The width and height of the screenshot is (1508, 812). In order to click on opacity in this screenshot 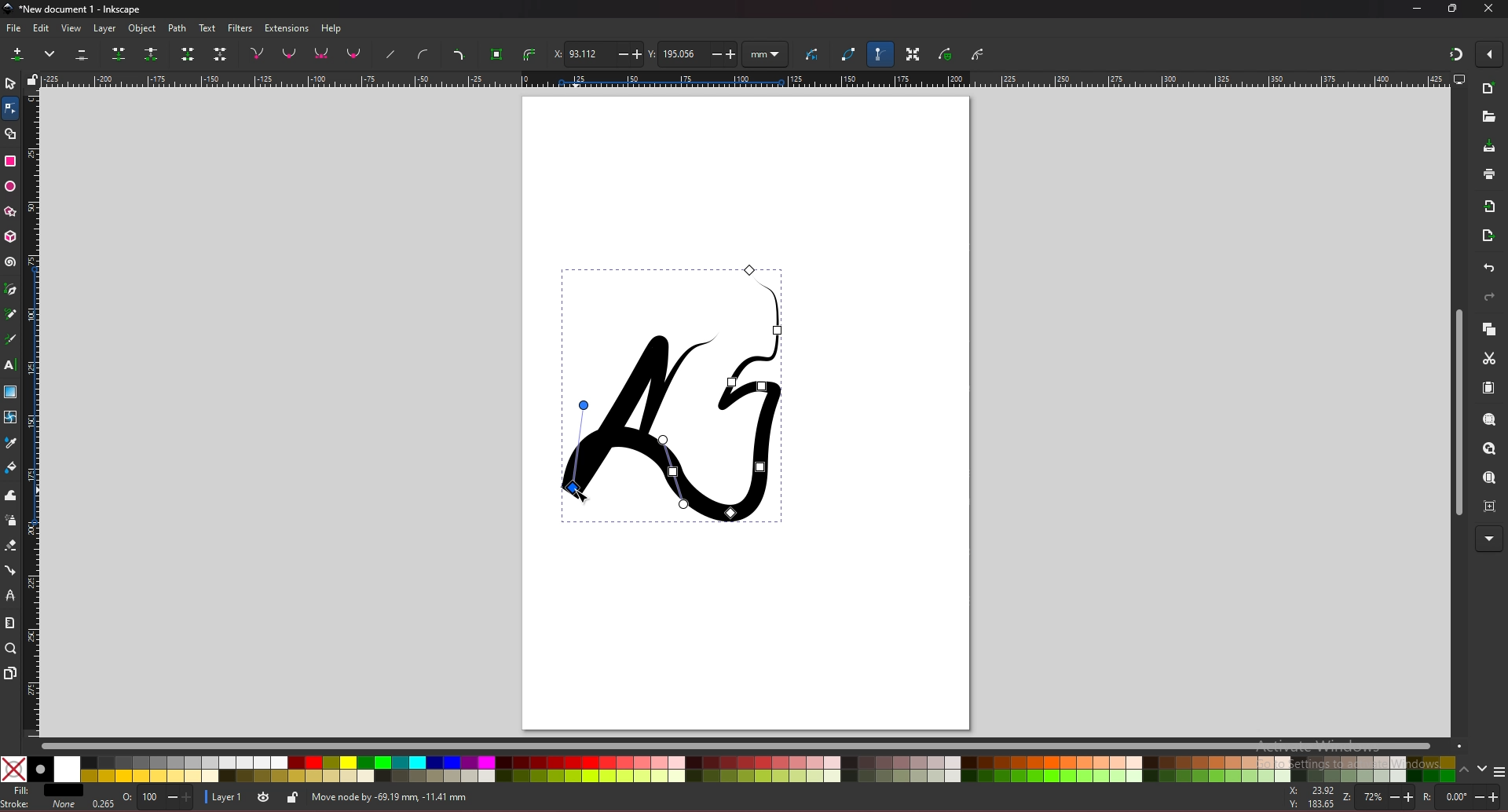, I will do `click(158, 798)`.